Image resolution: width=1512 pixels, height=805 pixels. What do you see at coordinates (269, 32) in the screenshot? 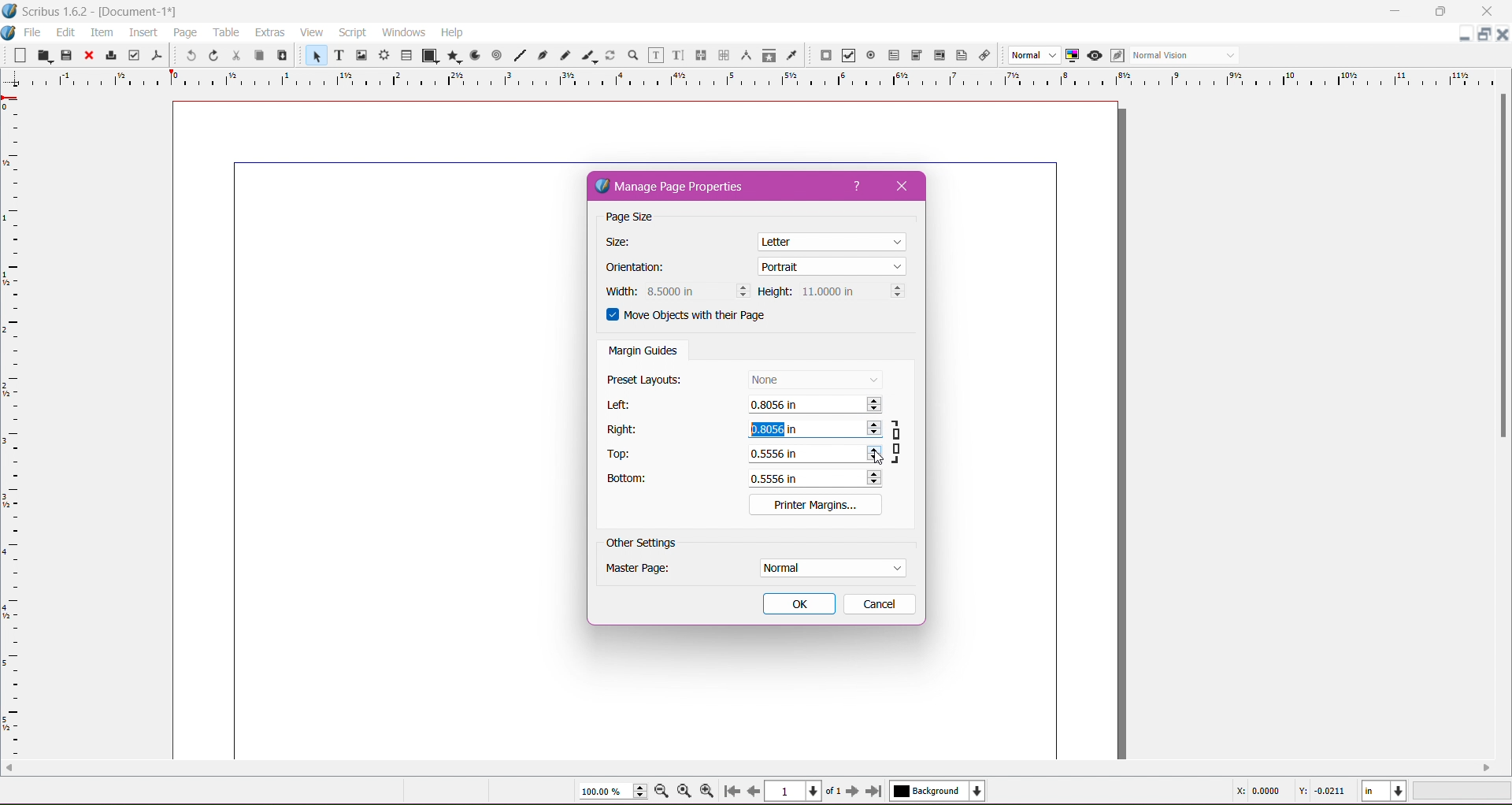
I see `Extras` at bounding box center [269, 32].